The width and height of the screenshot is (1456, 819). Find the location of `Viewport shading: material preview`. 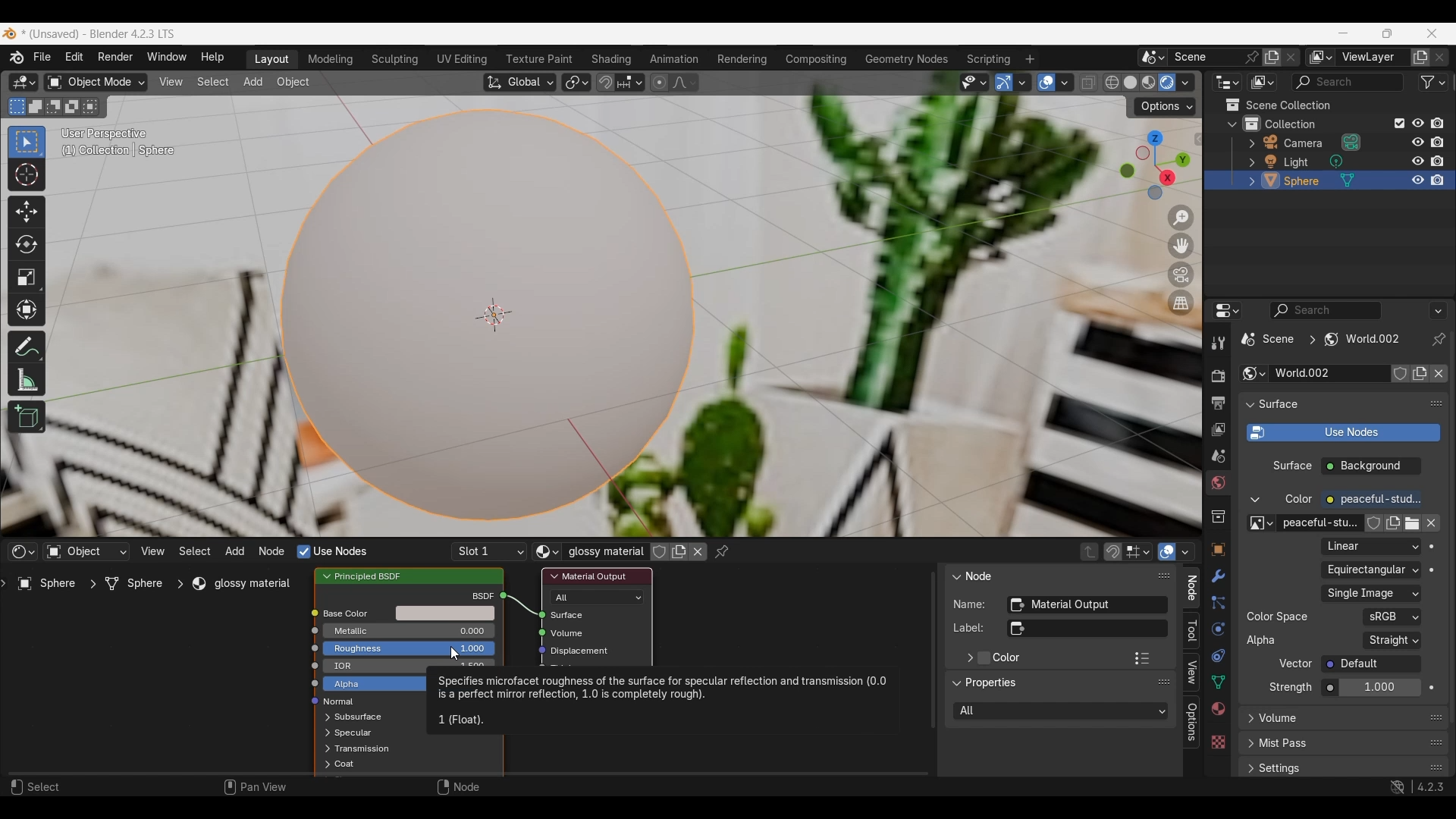

Viewport shading: material preview is located at coordinates (1149, 83).